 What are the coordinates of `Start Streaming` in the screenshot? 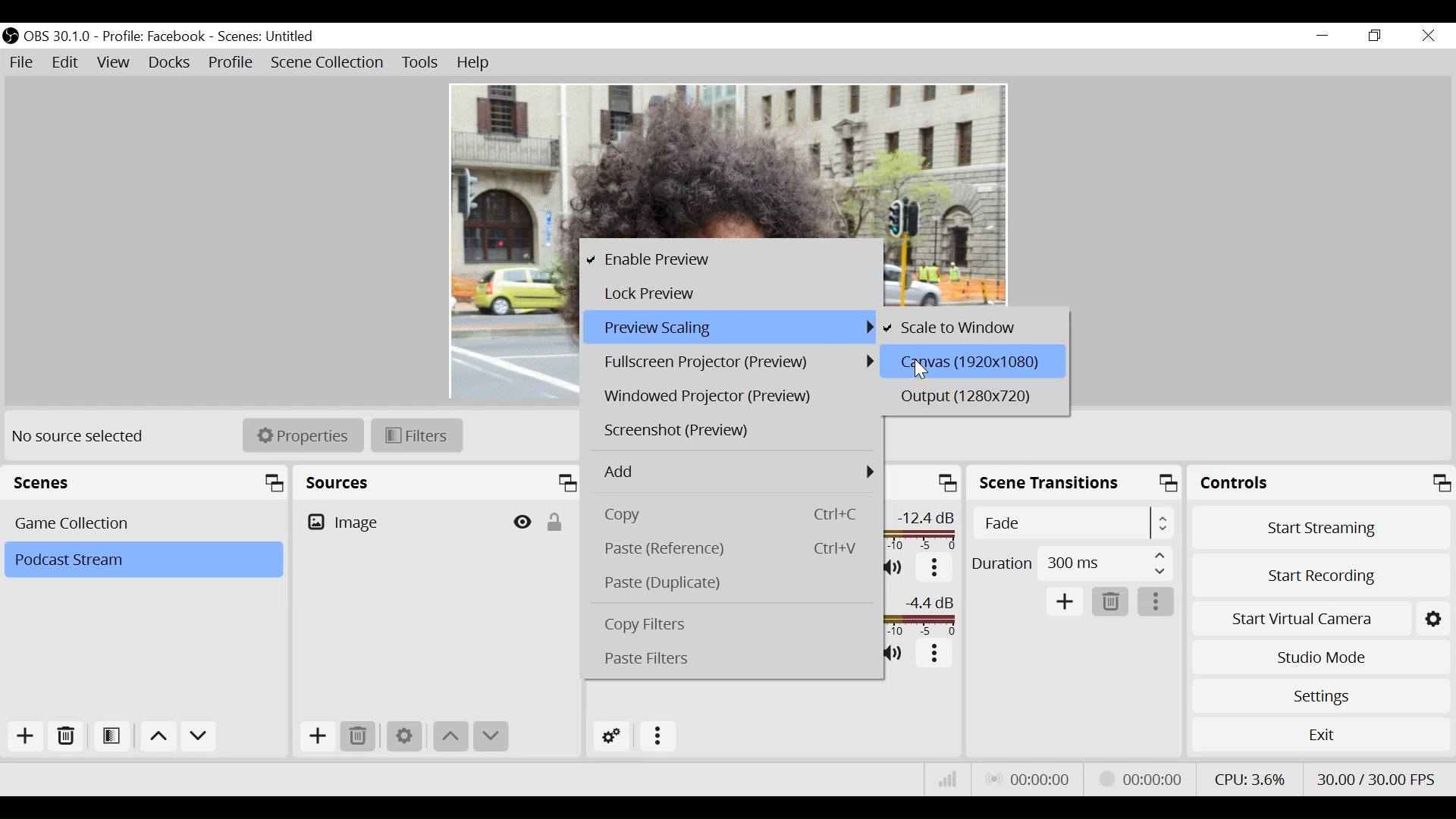 It's located at (1320, 526).